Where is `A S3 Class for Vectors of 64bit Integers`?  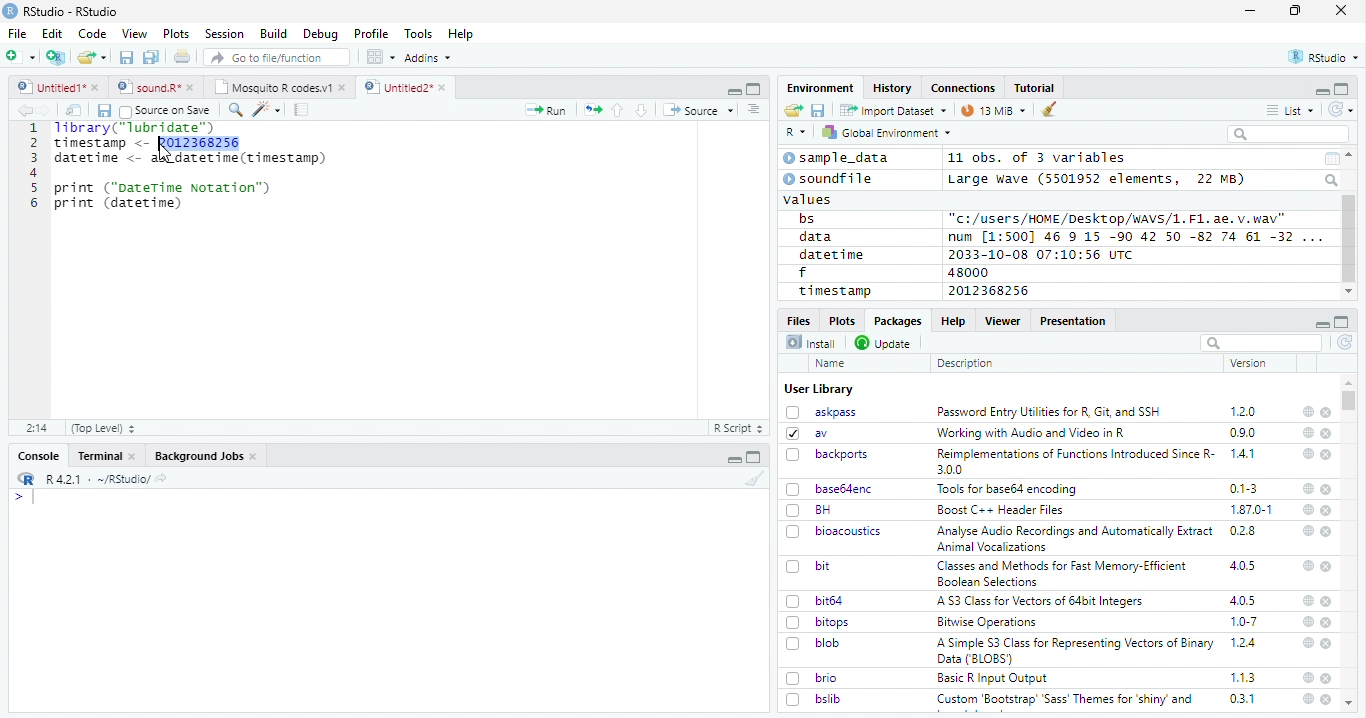 A S3 Class for Vectors of 64bit Integers is located at coordinates (1042, 602).